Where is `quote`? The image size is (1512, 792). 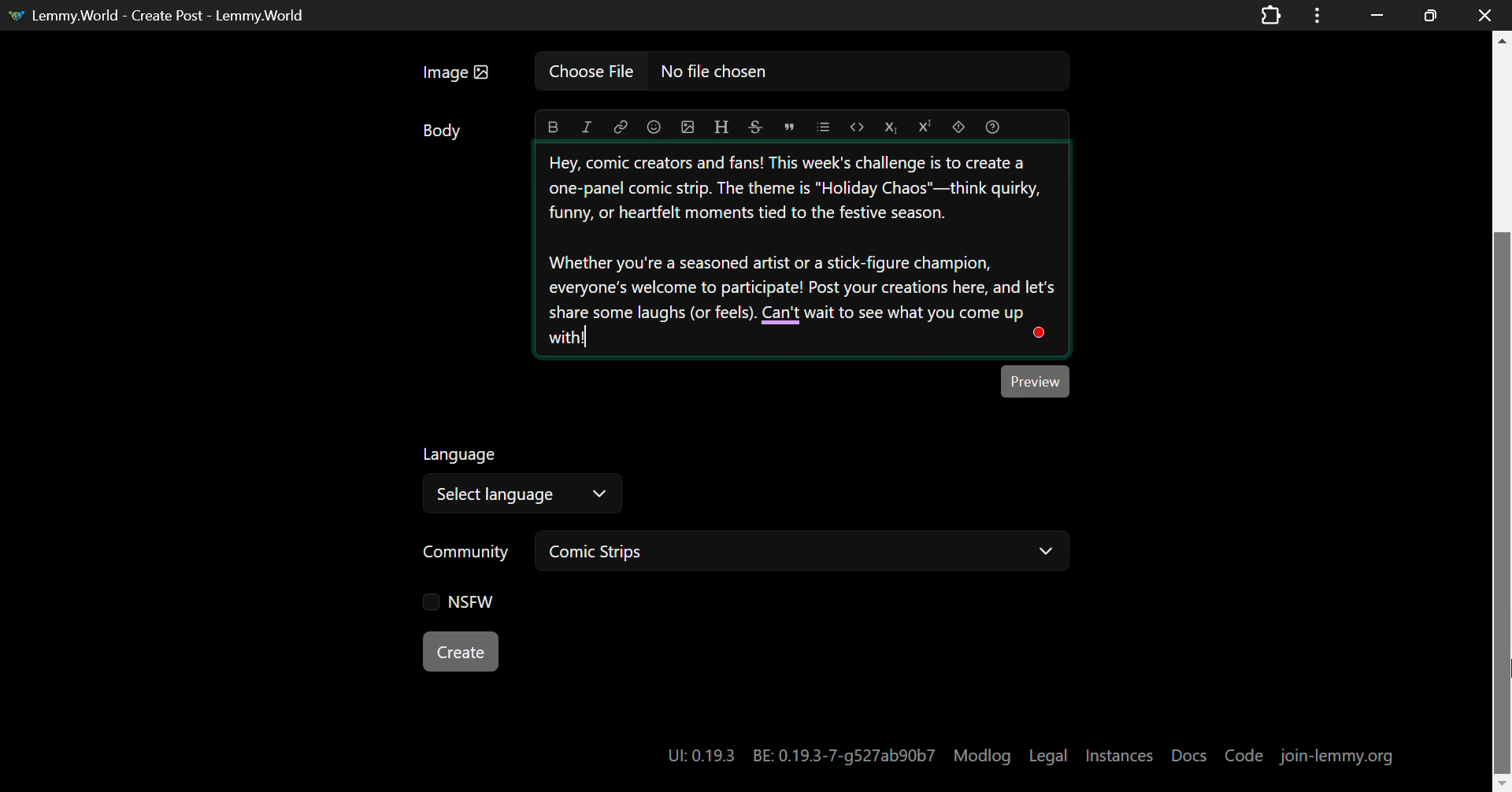 quote is located at coordinates (790, 126).